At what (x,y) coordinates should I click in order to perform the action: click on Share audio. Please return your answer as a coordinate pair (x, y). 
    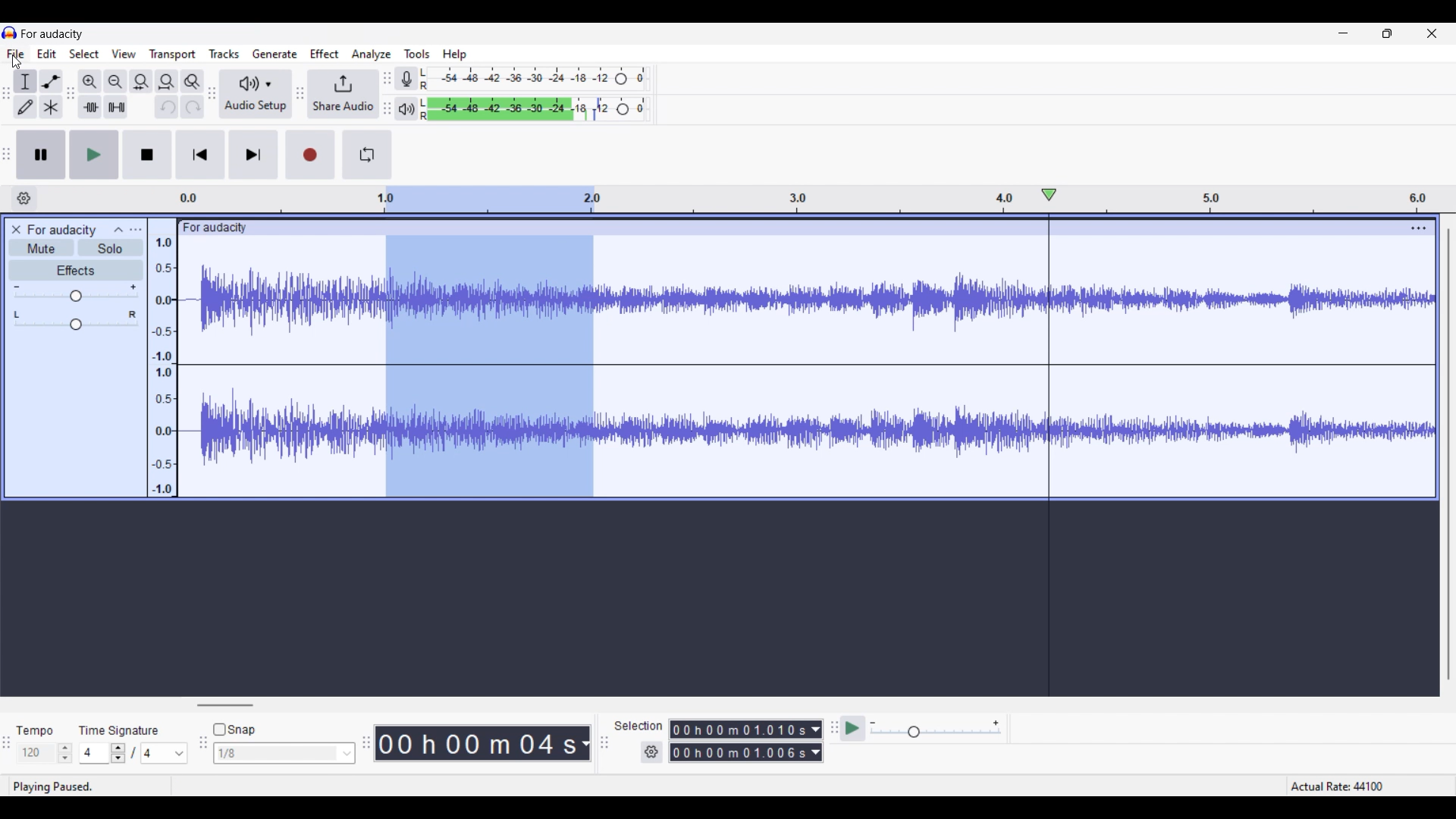
    Looking at the image, I should click on (342, 94).